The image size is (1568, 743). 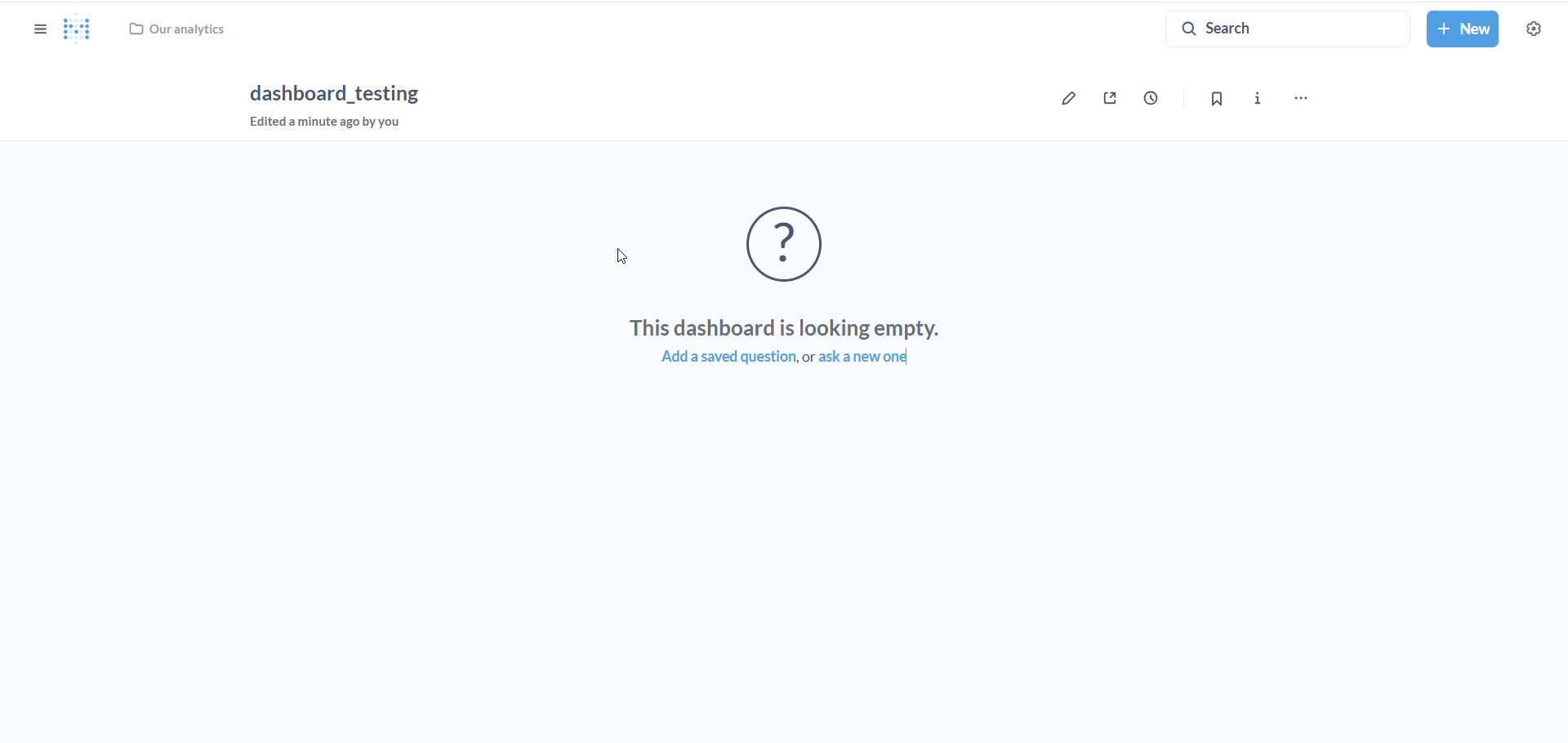 What do you see at coordinates (1307, 100) in the screenshot?
I see `menu` at bounding box center [1307, 100].